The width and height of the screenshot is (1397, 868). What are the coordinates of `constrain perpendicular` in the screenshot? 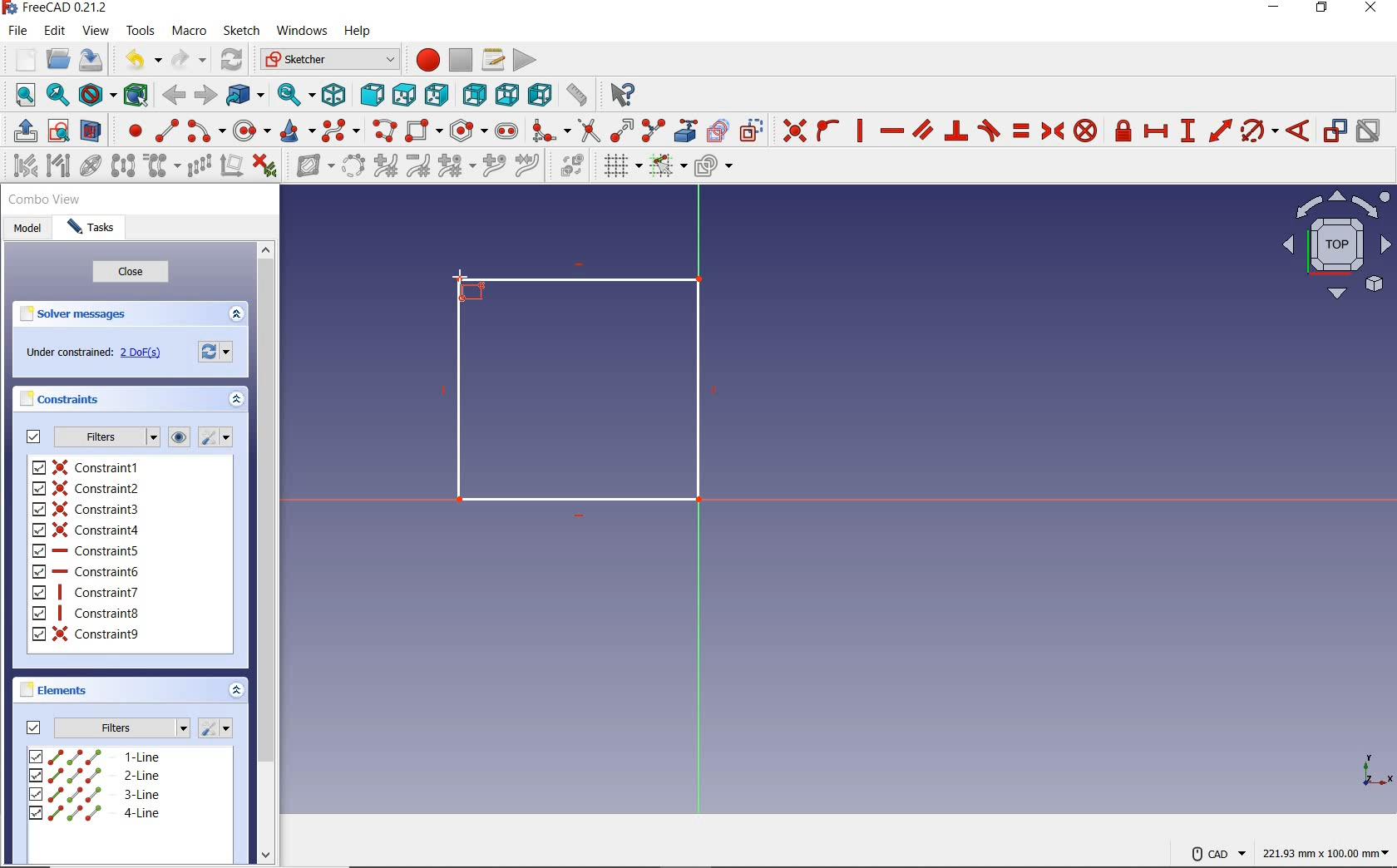 It's located at (956, 131).